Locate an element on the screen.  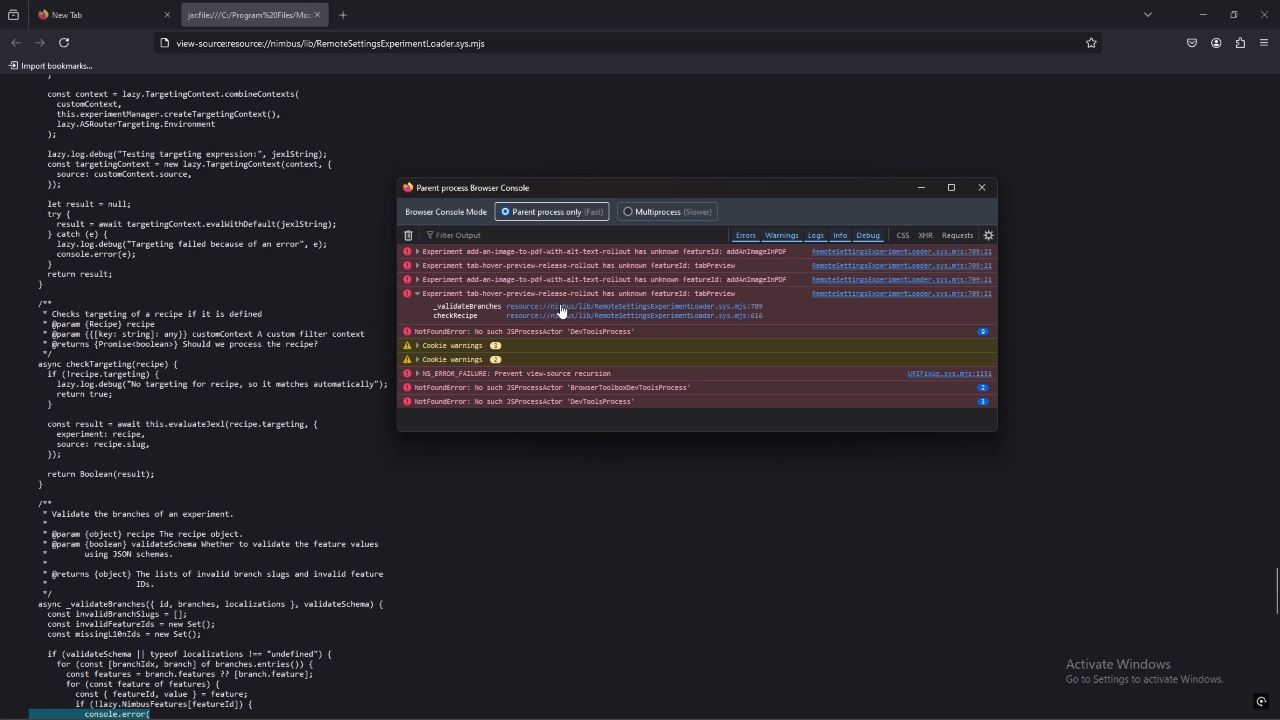
bookmark is located at coordinates (1089, 43).